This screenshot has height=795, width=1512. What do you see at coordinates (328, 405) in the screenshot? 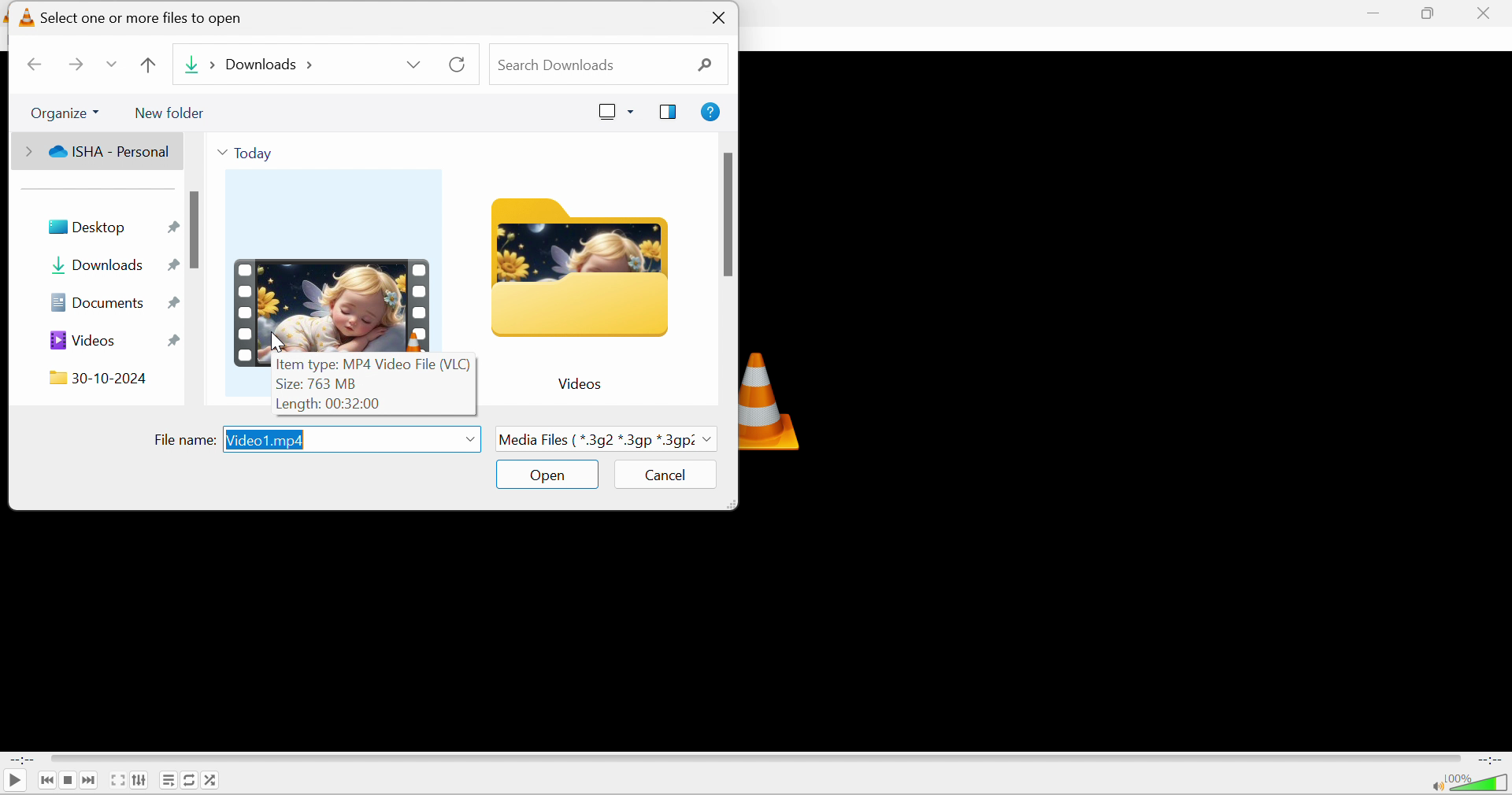
I see `Length: 00:32:00` at bounding box center [328, 405].